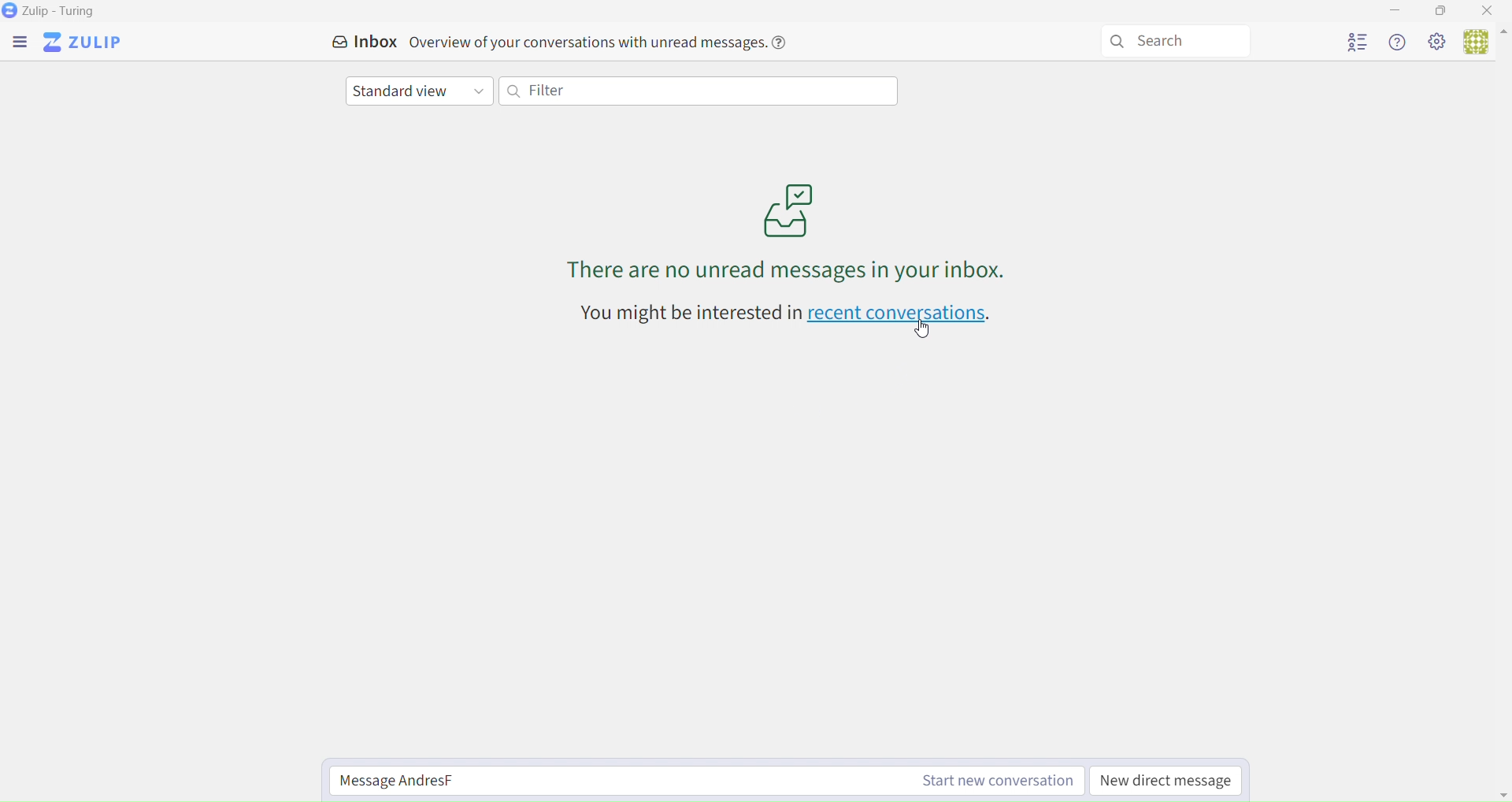 This screenshot has height=802, width=1512. What do you see at coordinates (1439, 44) in the screenshot?
I see `Settings` at bounding box center [1439, 44].